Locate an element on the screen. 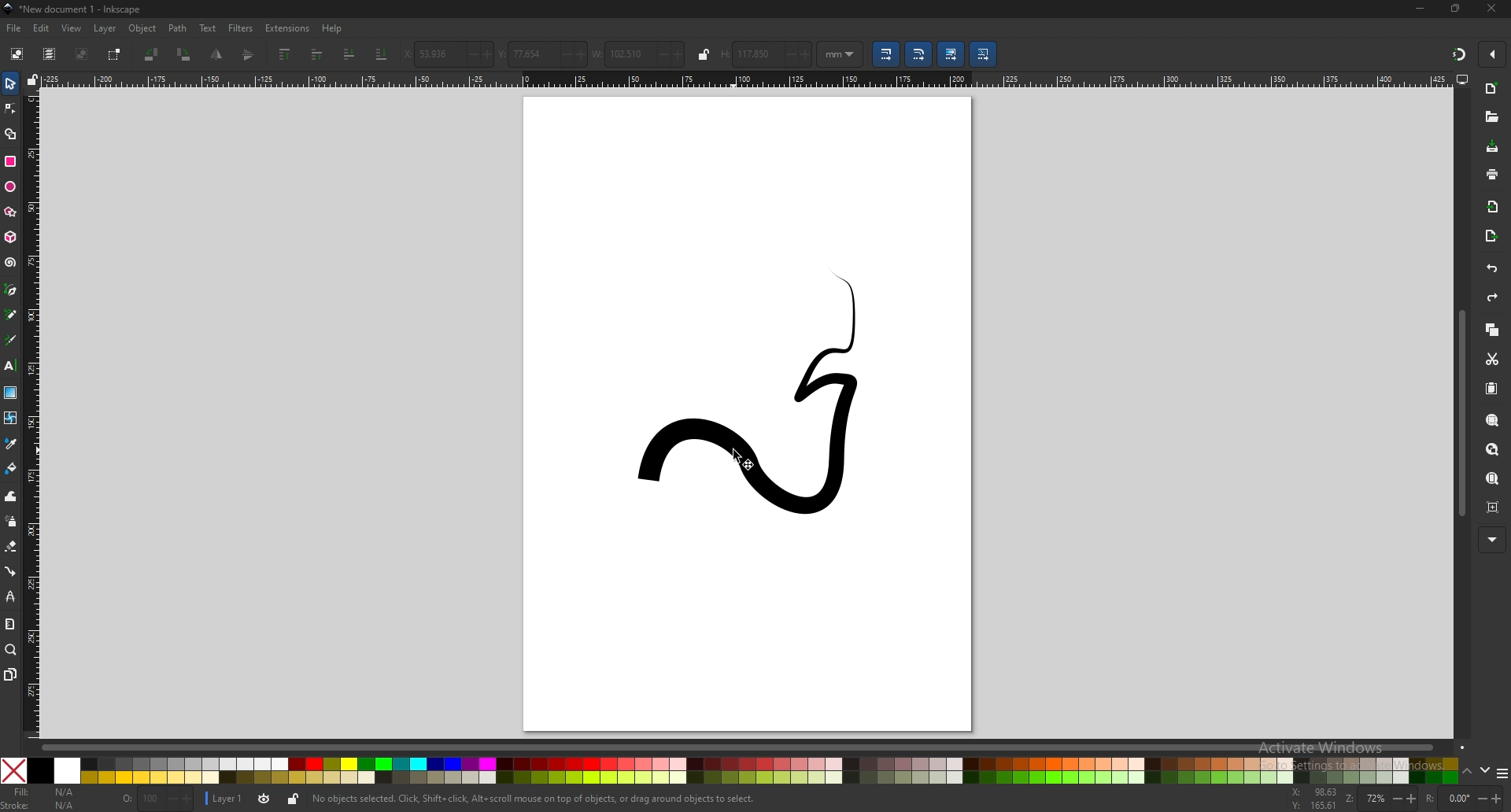 The height and width of the screenshot is (812, 1511). cut is located at coordinates (1492, 360).